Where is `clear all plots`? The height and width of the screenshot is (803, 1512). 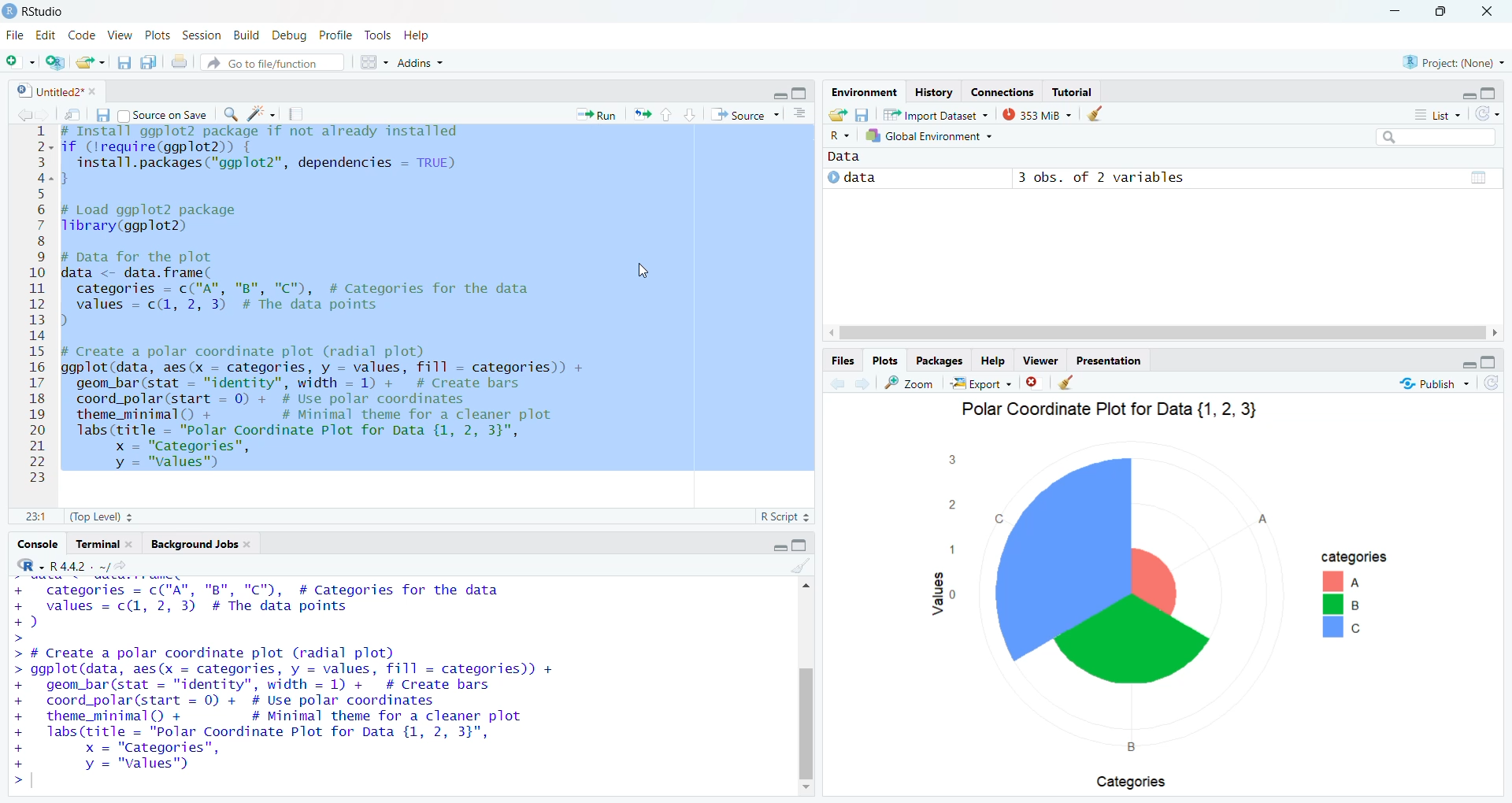 clear all plots is located at coordinates (1070, 385).